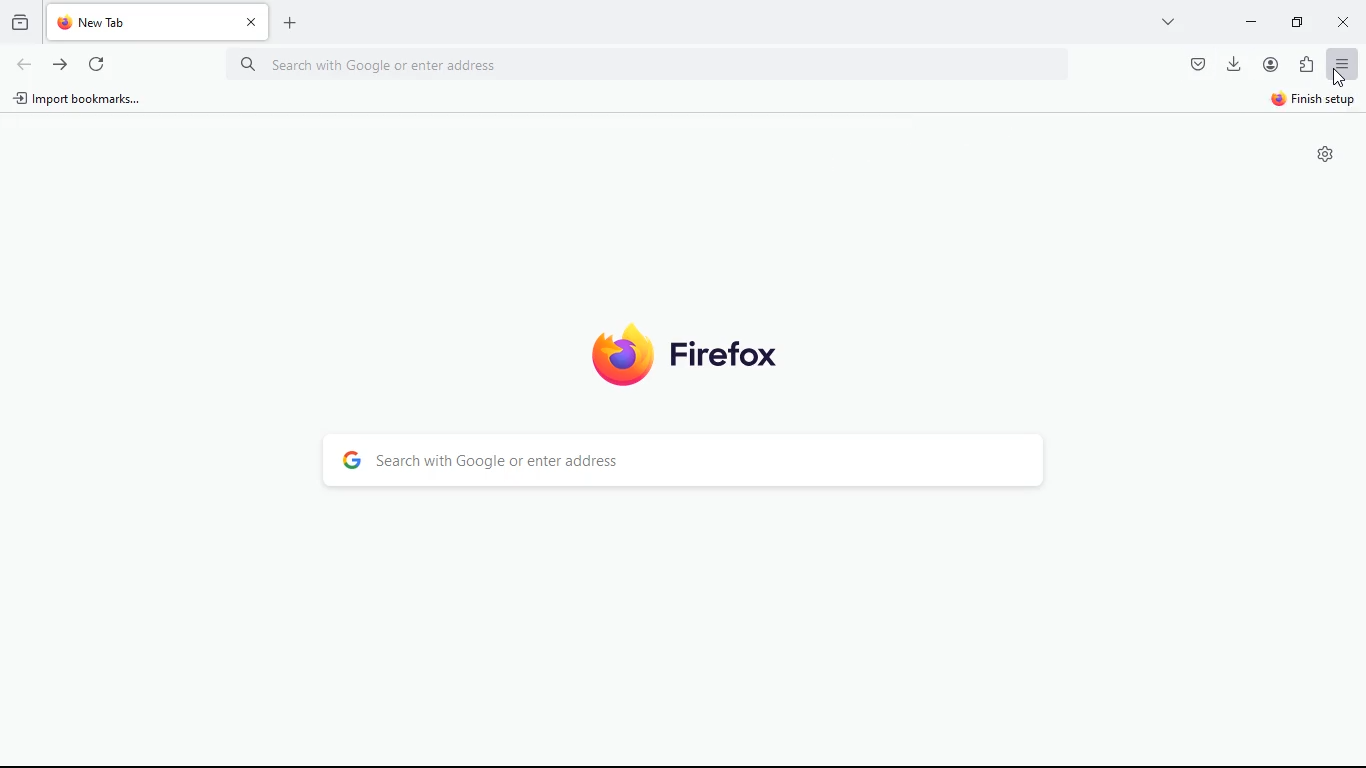 The image size is (1366, 768). Describe the element at coordinates (1275, 64) in the screenshot. I see `profile` at that location.